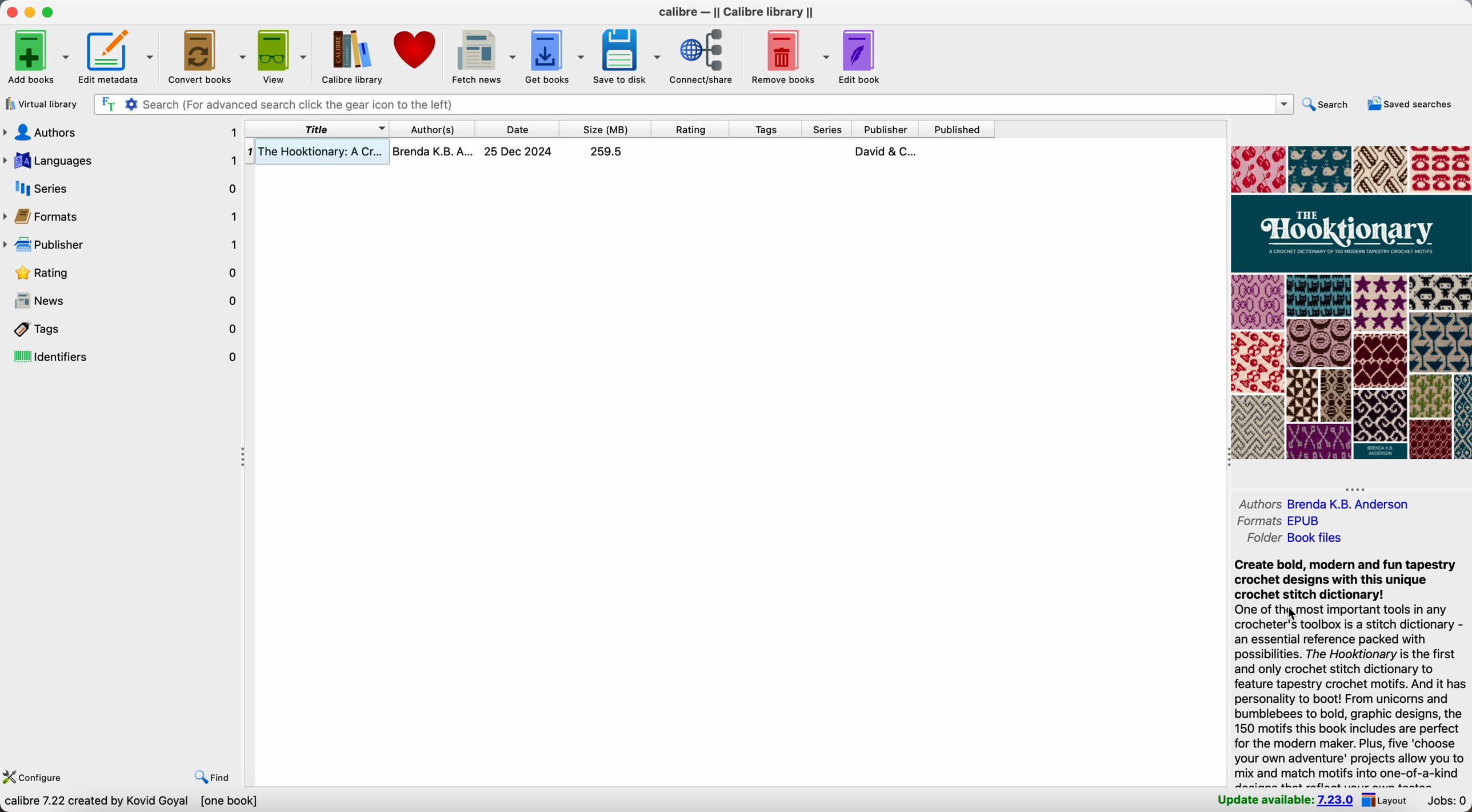 The height and width of the screenshot is (812, 1472). I want to click on identifiers, so click(122, 357).